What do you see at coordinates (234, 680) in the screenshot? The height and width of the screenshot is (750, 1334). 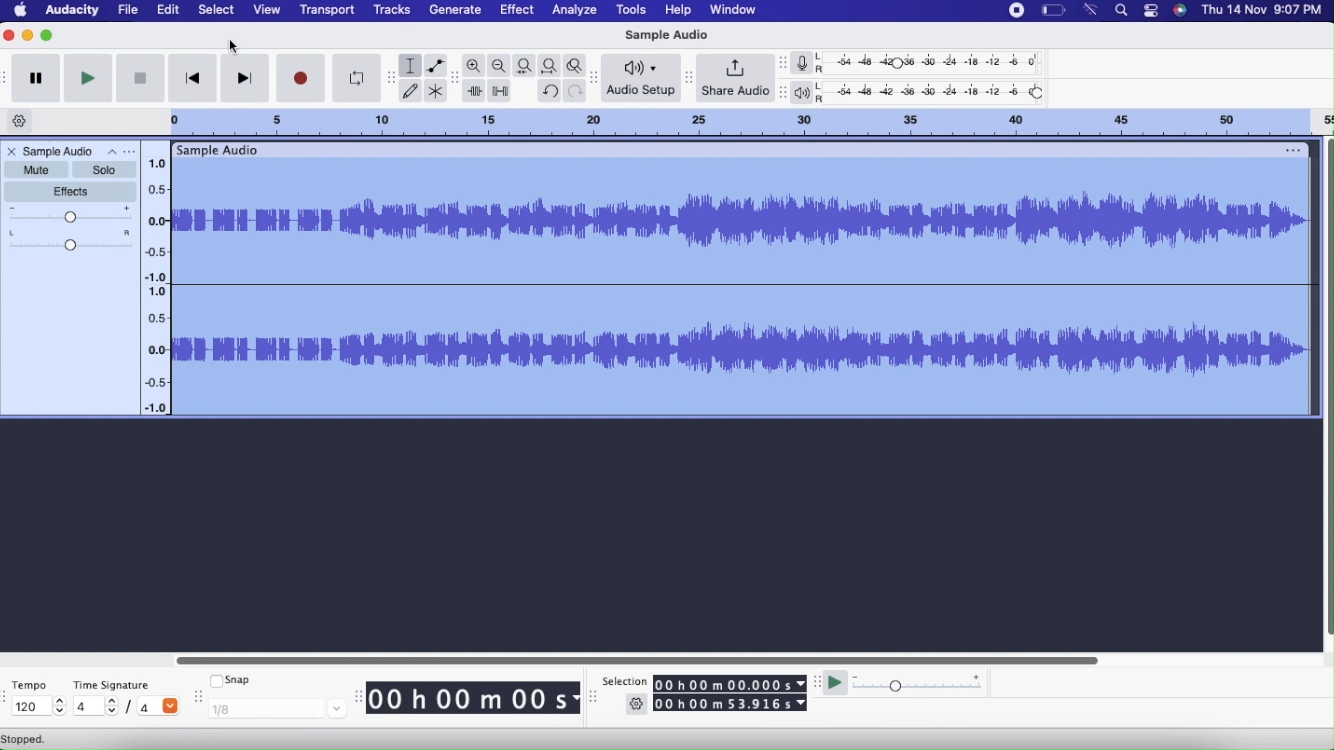 I see `Snap` at bounding box center [234, 680].